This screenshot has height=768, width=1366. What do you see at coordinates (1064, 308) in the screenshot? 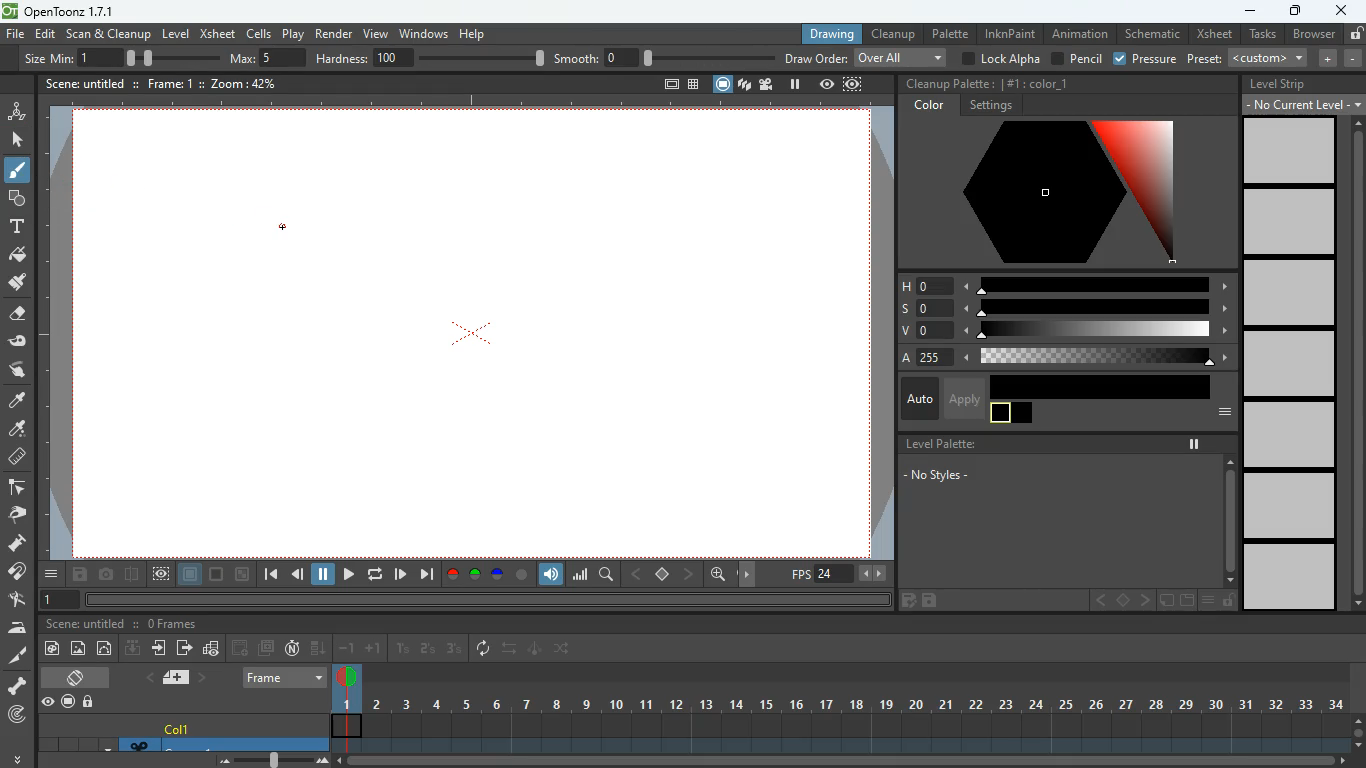
I see `s` at bounding box center [1064, 308].